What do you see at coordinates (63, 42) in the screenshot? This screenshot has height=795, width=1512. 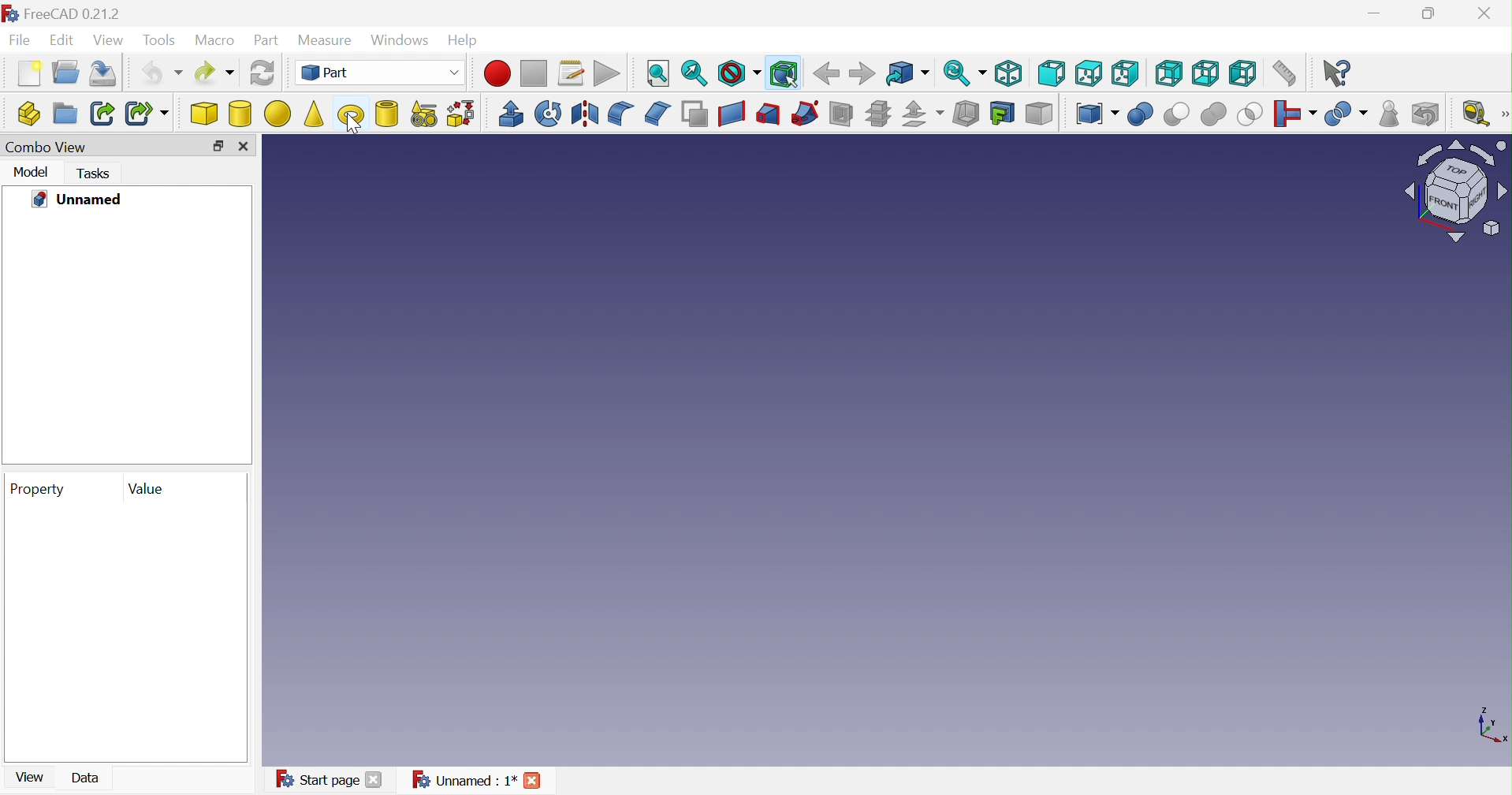 I see `Edit` at bounding box center [63, 42].